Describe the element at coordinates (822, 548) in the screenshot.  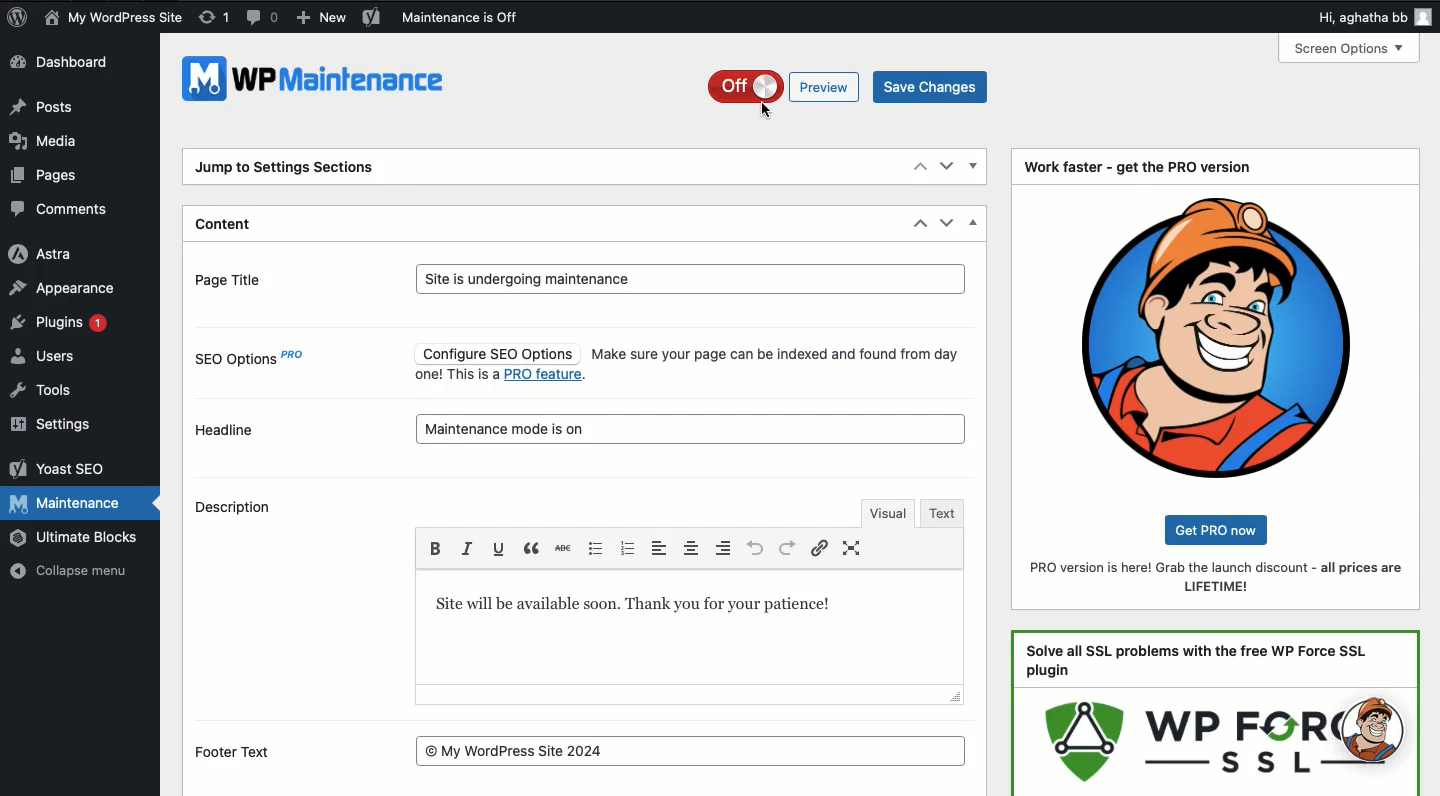
I see `Link` at that location.